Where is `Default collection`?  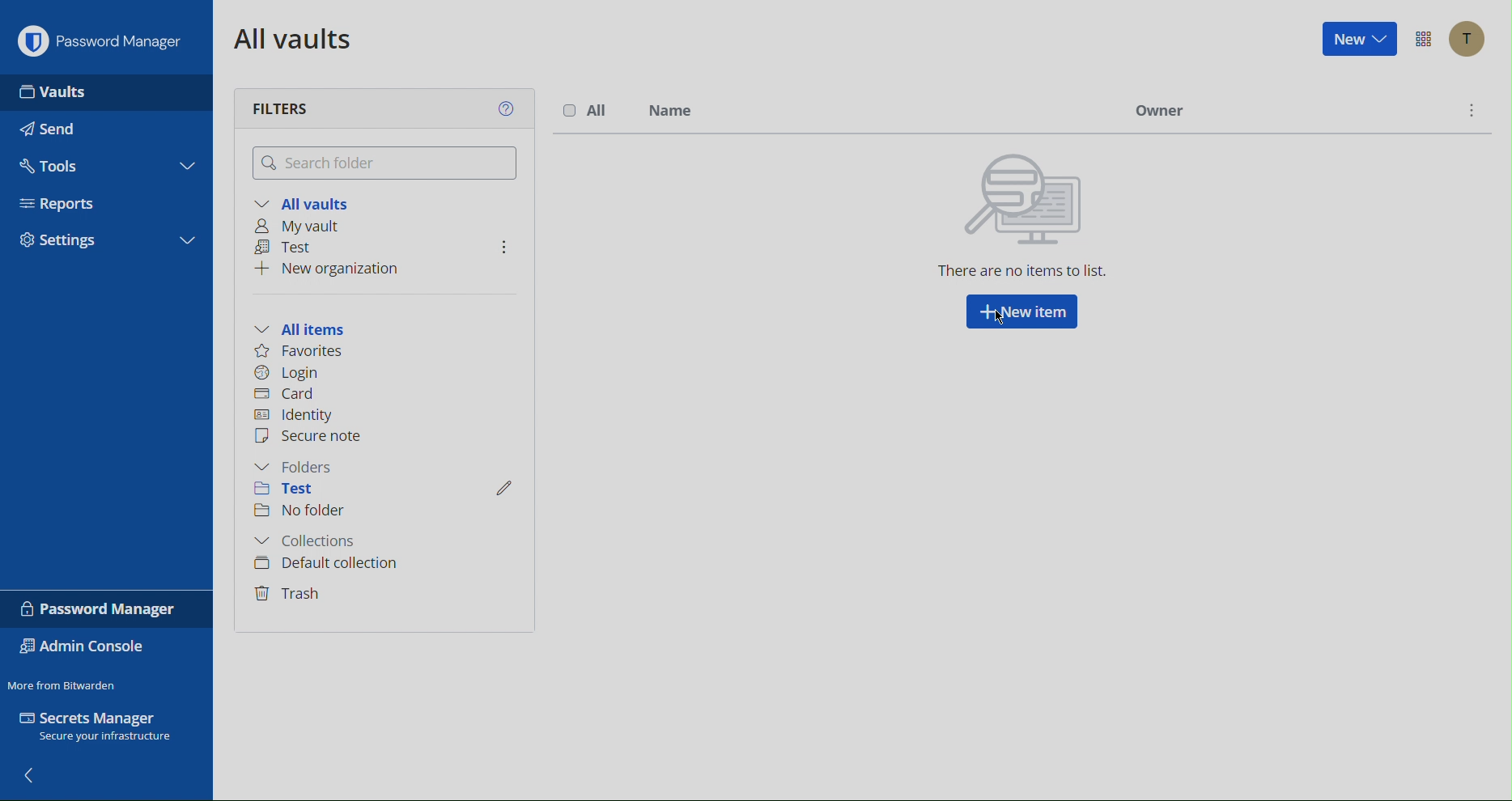 Default collection is located at coordinates (325, 565).